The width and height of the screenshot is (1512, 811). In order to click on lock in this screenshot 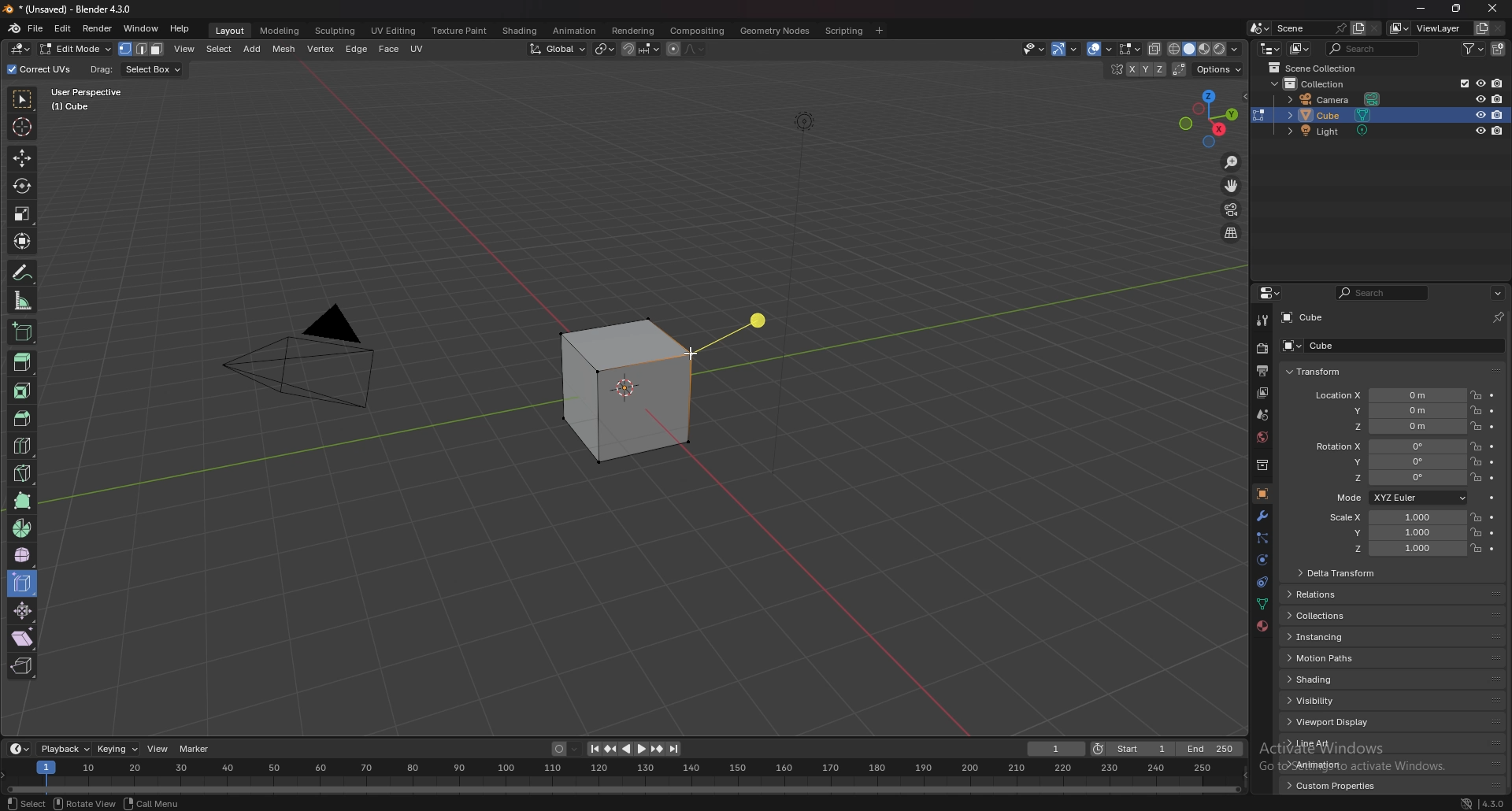, I will do `click(1475, 462)`.